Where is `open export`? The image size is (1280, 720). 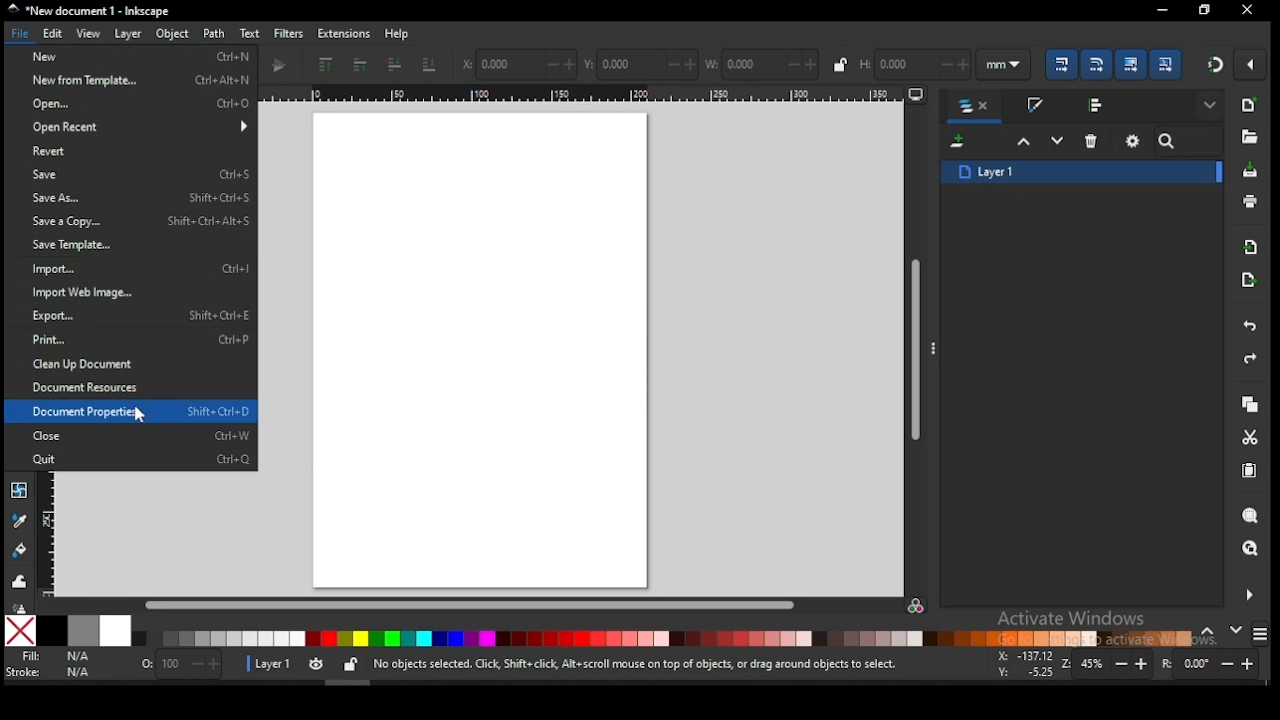
open export is located at coordinates (1248, 279).